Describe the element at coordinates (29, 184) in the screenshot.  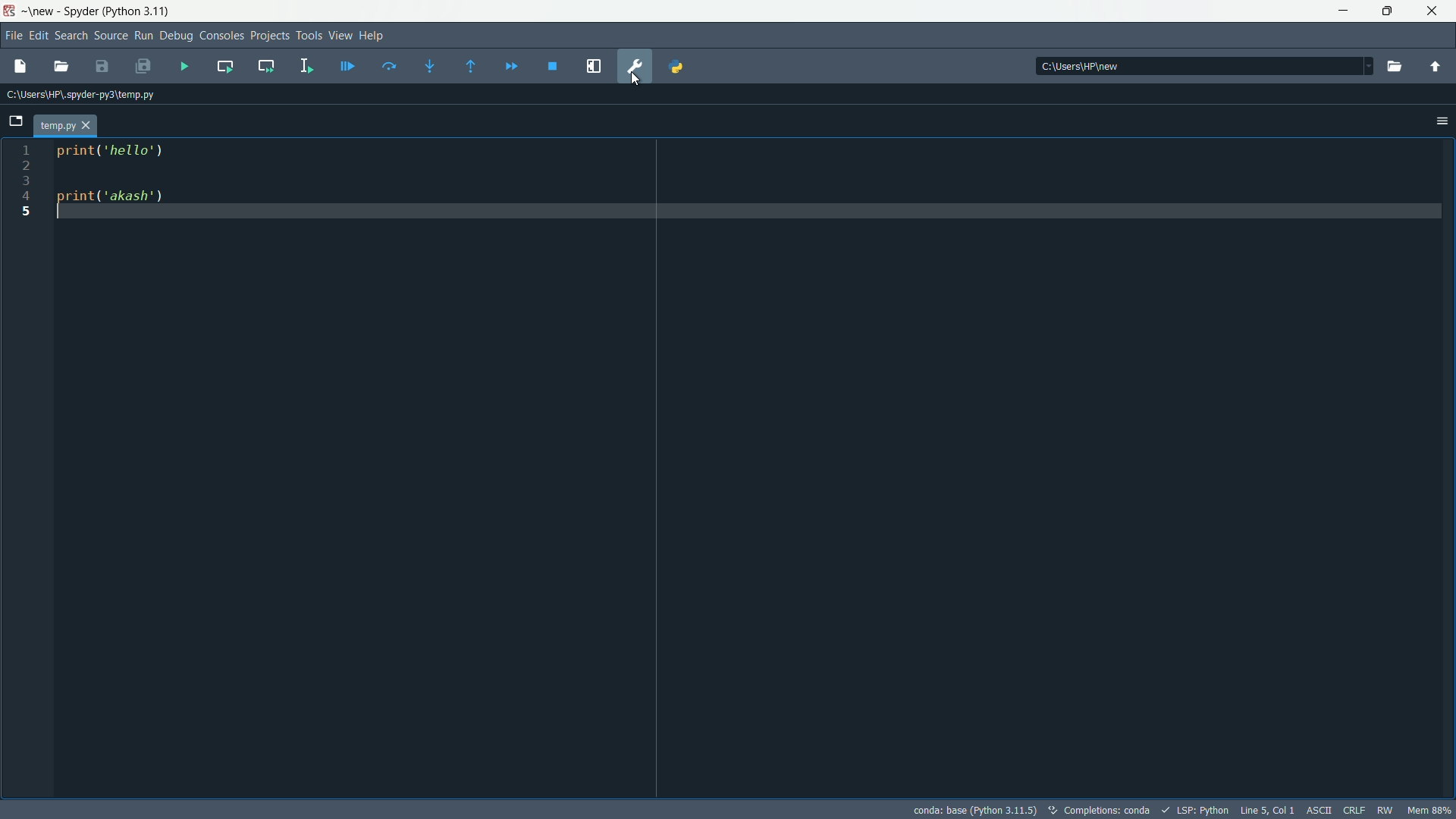
I see `3` at that location.